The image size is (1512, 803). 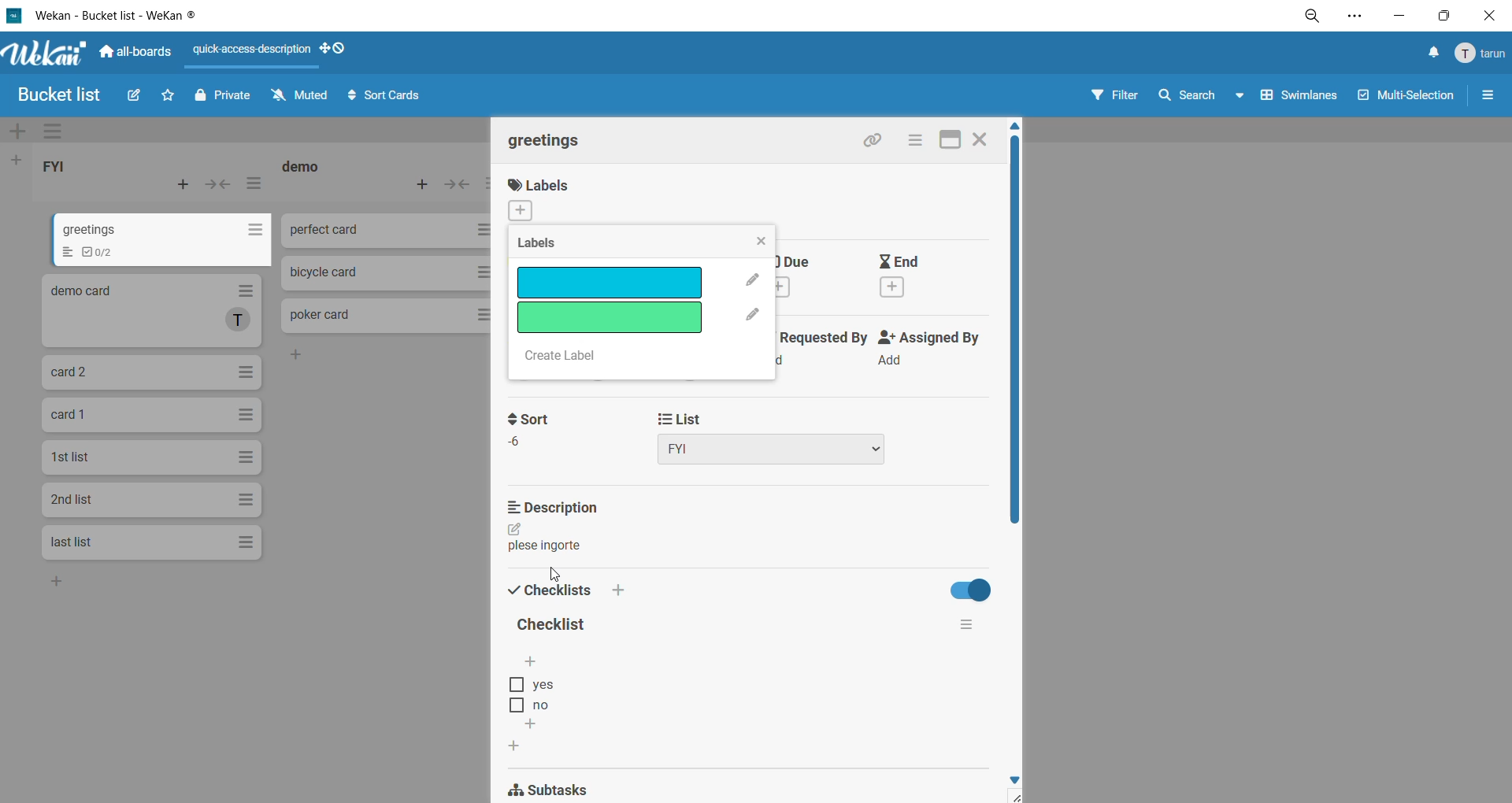 What do you see at coordinates (154, 373) in the screenshot?
I see `card 2` at bounding box center [154, 373].